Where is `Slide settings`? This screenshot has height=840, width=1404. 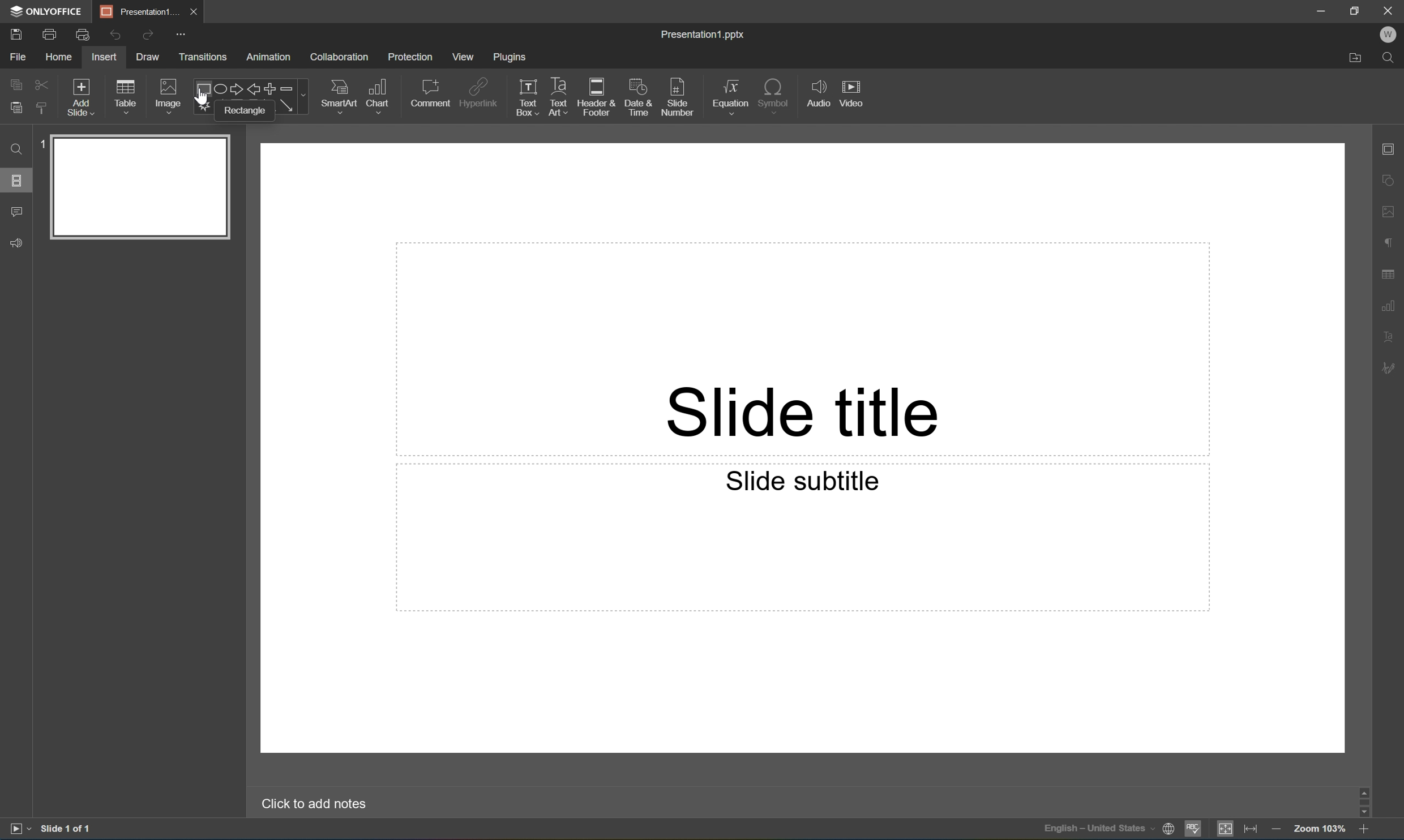
Slide settings is located at coordinates (1393, 148).